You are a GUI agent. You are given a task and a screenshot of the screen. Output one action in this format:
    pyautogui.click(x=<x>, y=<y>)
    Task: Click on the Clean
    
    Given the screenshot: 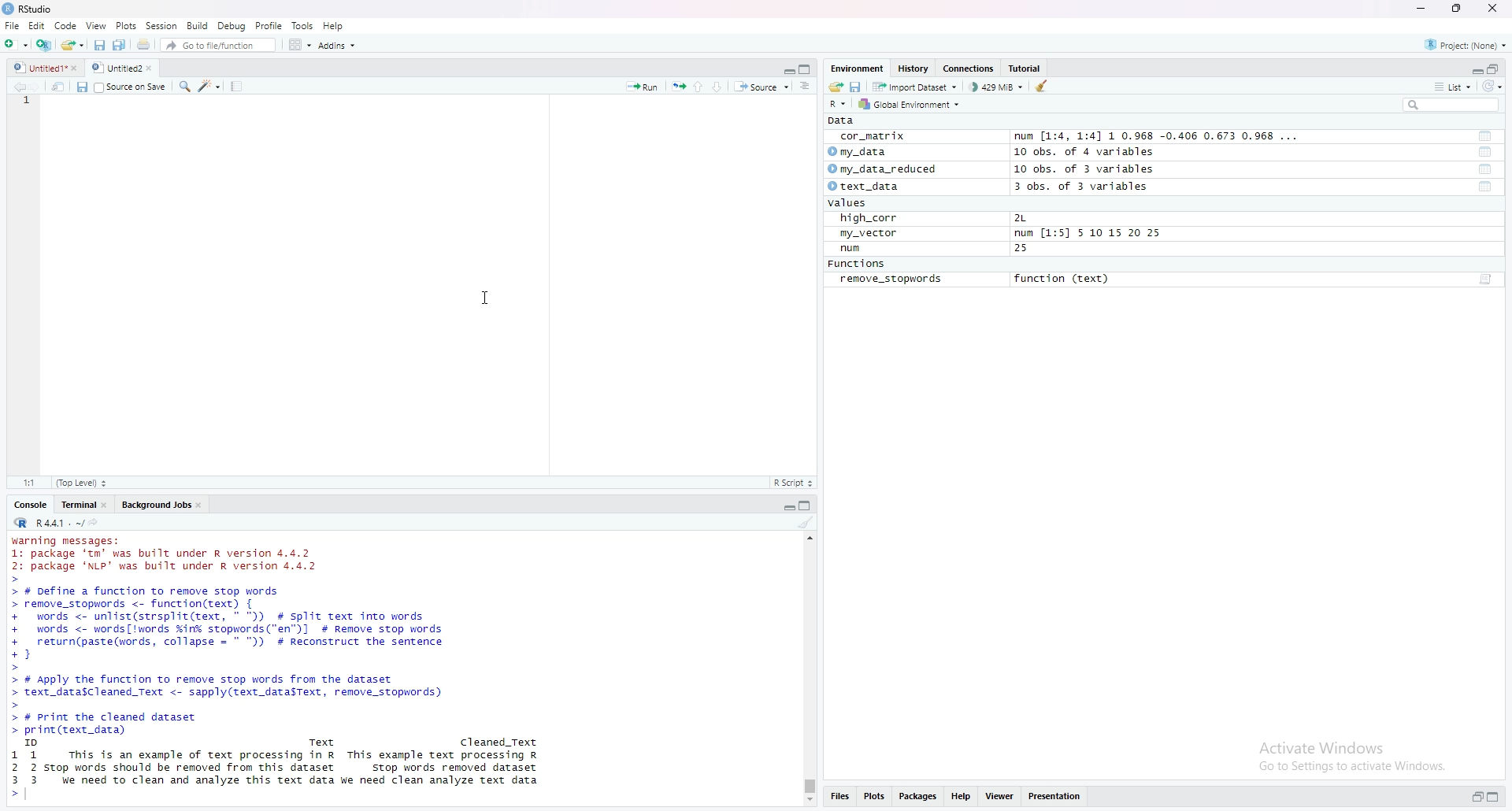 What is the action you would take?
    pyautogui.click(x=807, y=524)
    